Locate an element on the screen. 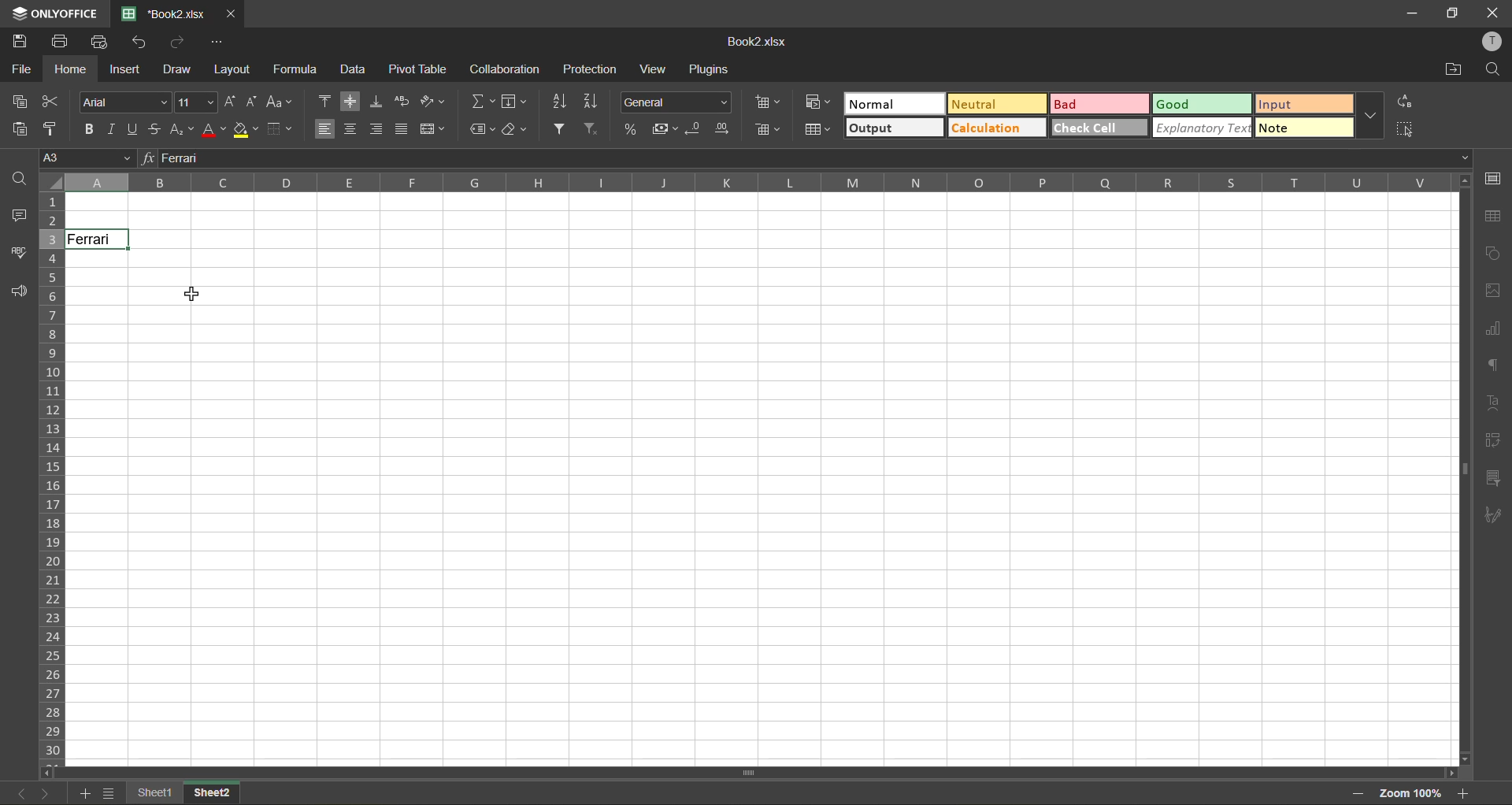 This screenshot has height=805, width=1512. sub/superscript is located at coordinates (180, 132).